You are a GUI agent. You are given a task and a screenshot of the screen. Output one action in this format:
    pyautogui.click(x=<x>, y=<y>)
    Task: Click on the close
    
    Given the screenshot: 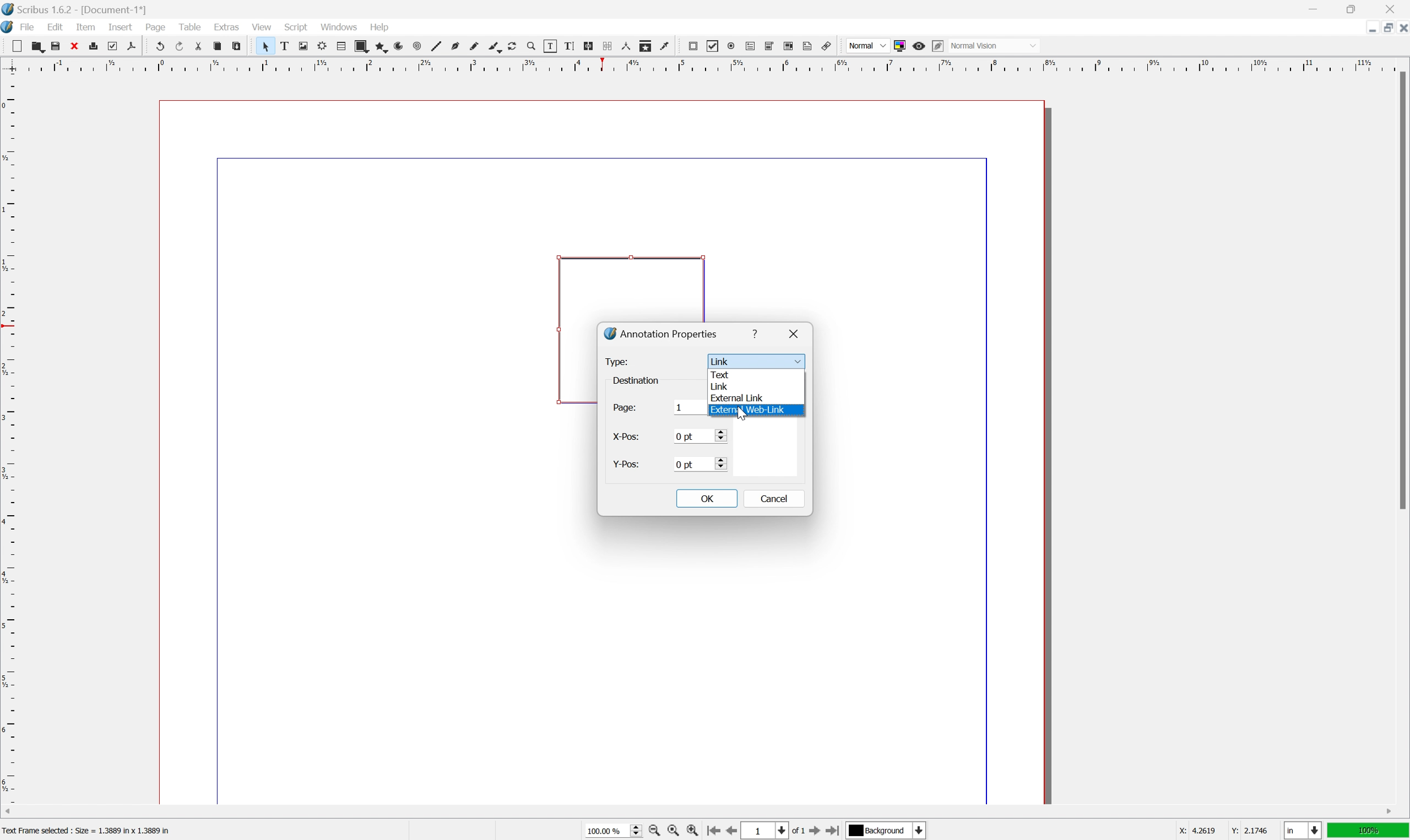 What is the action you would take?
    pyautogui.click(x=1401, y=30)
    